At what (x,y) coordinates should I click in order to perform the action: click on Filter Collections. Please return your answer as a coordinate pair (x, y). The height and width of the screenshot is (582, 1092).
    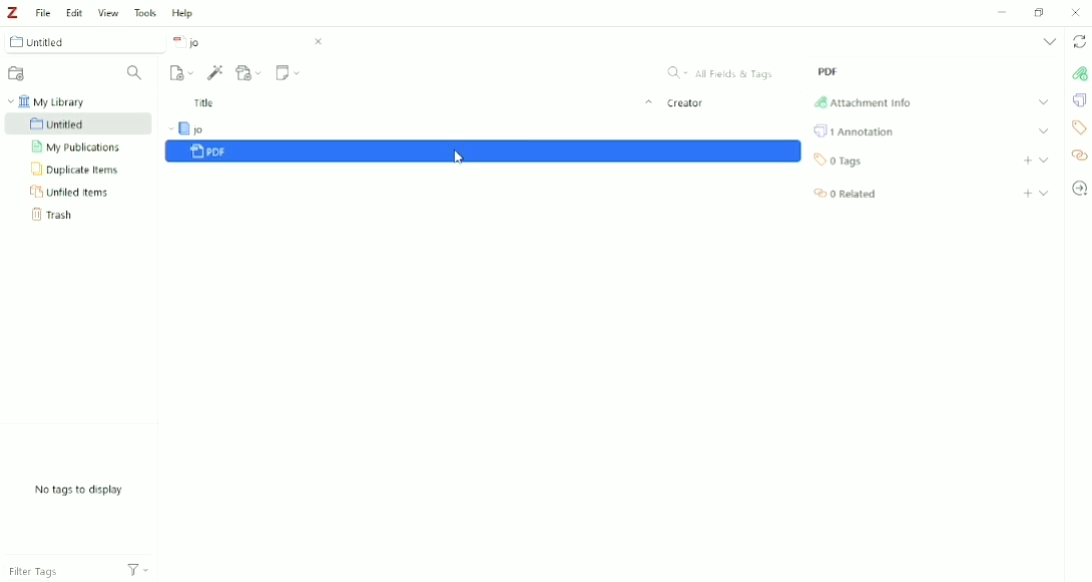
    Looking at the image, I should click on (138, 74).